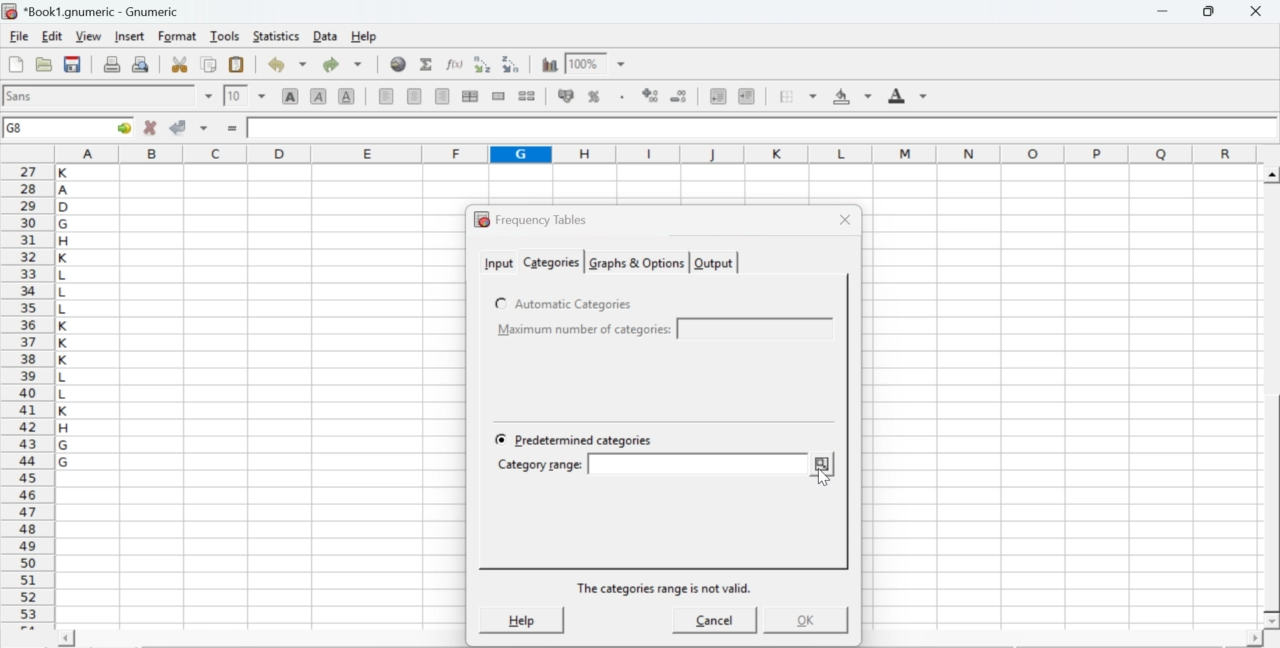 This screenshot has height=648, width=1280. I want to click on font, so click(22, 95).